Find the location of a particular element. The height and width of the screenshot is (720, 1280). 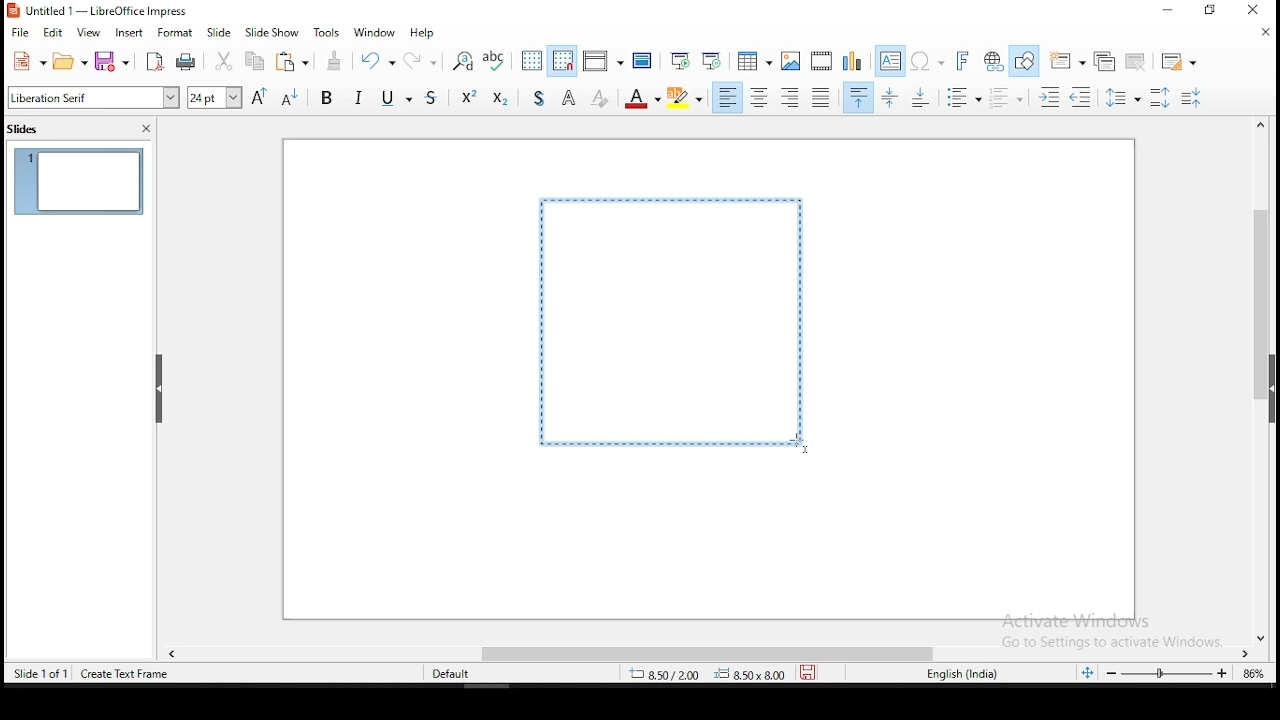

slides is located at coordinates (26, 130).